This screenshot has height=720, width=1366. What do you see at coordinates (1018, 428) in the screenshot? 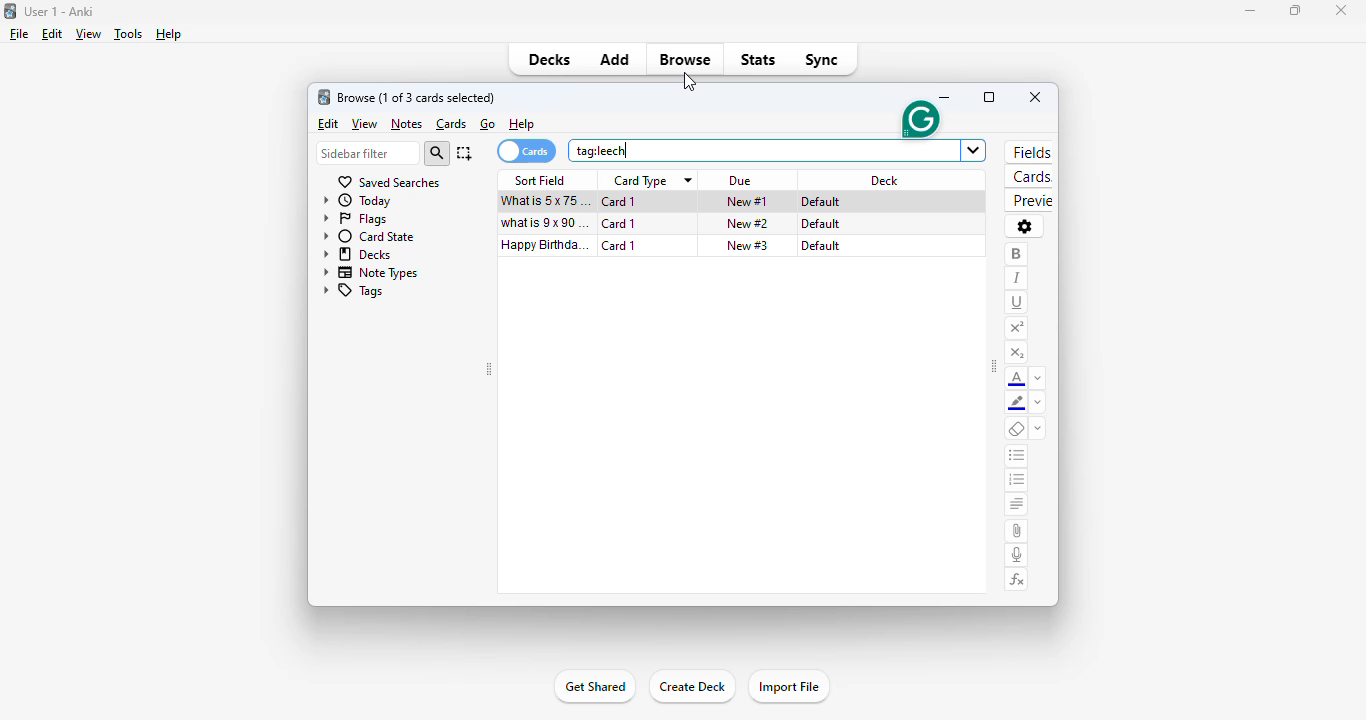
I see `remove formatting` at bounding box center [1018, 428].